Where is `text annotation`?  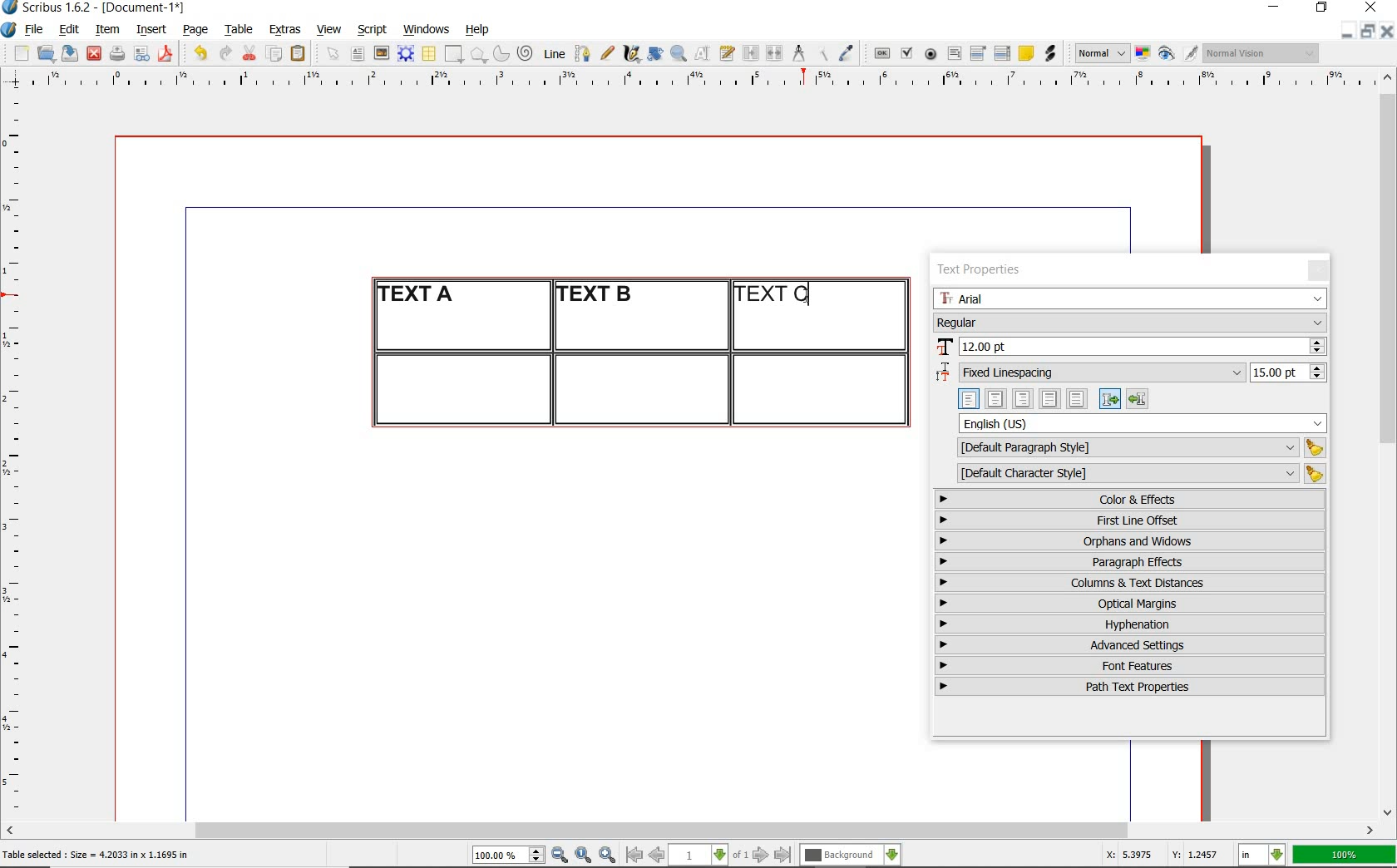
text annotation is located at coordinates (1025, 54).